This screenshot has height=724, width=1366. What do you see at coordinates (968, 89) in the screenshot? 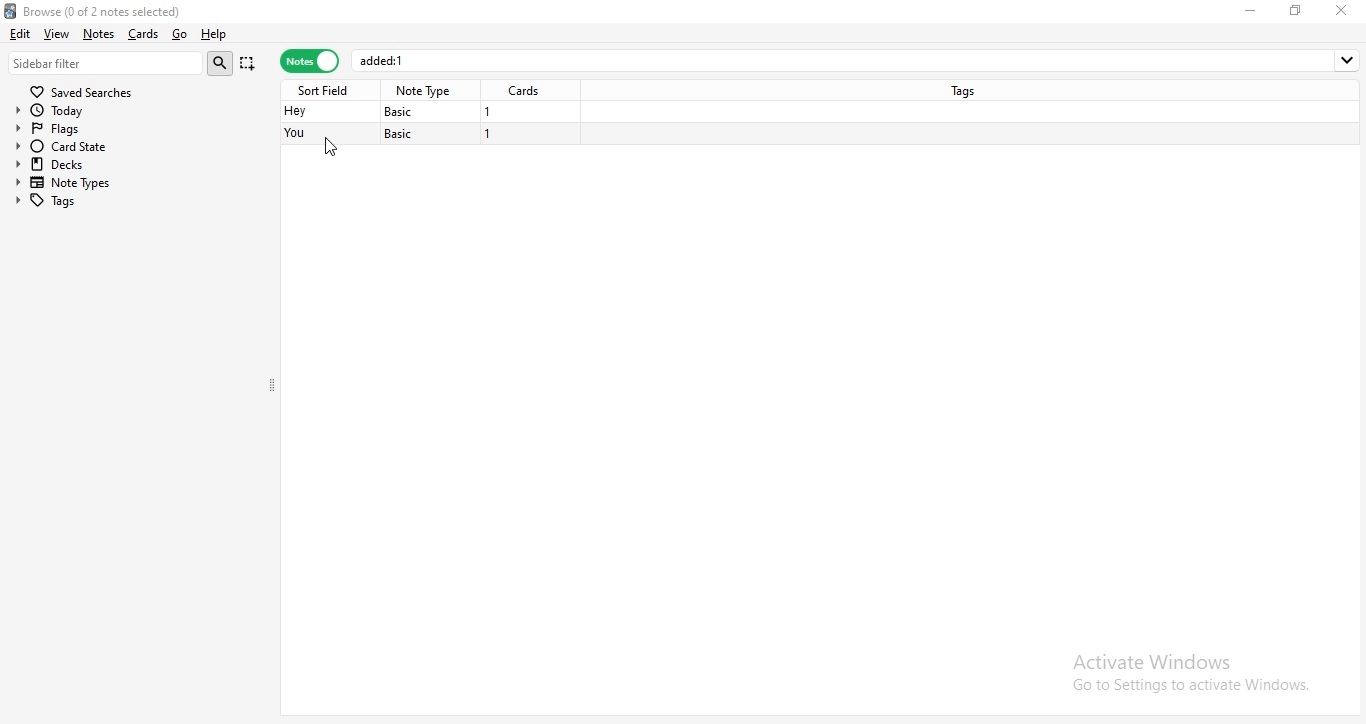
I see `tags` at bounding box center [968, 89].